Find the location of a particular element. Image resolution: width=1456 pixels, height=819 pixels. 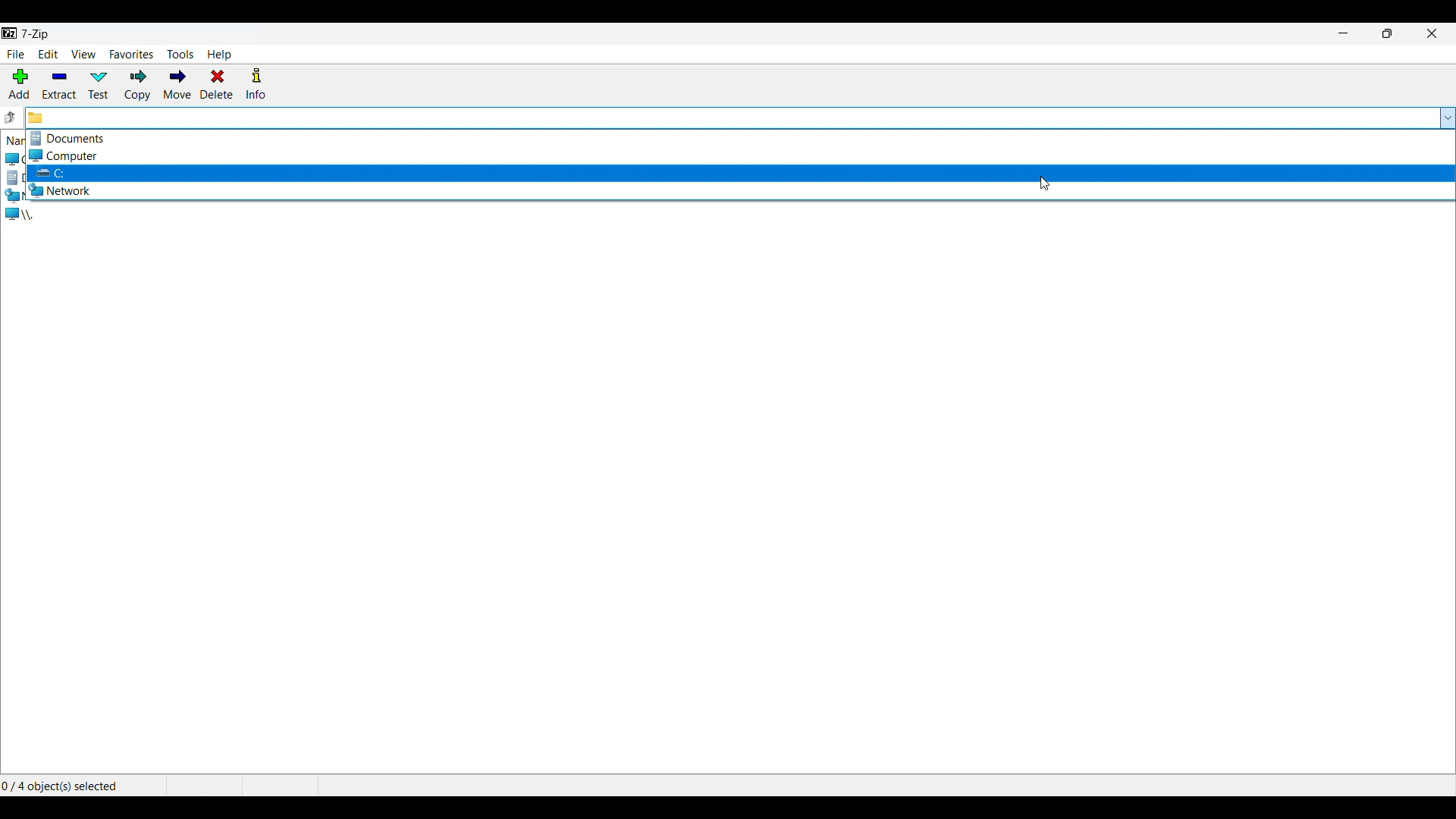

File menu is located at coordinates (17, 55).